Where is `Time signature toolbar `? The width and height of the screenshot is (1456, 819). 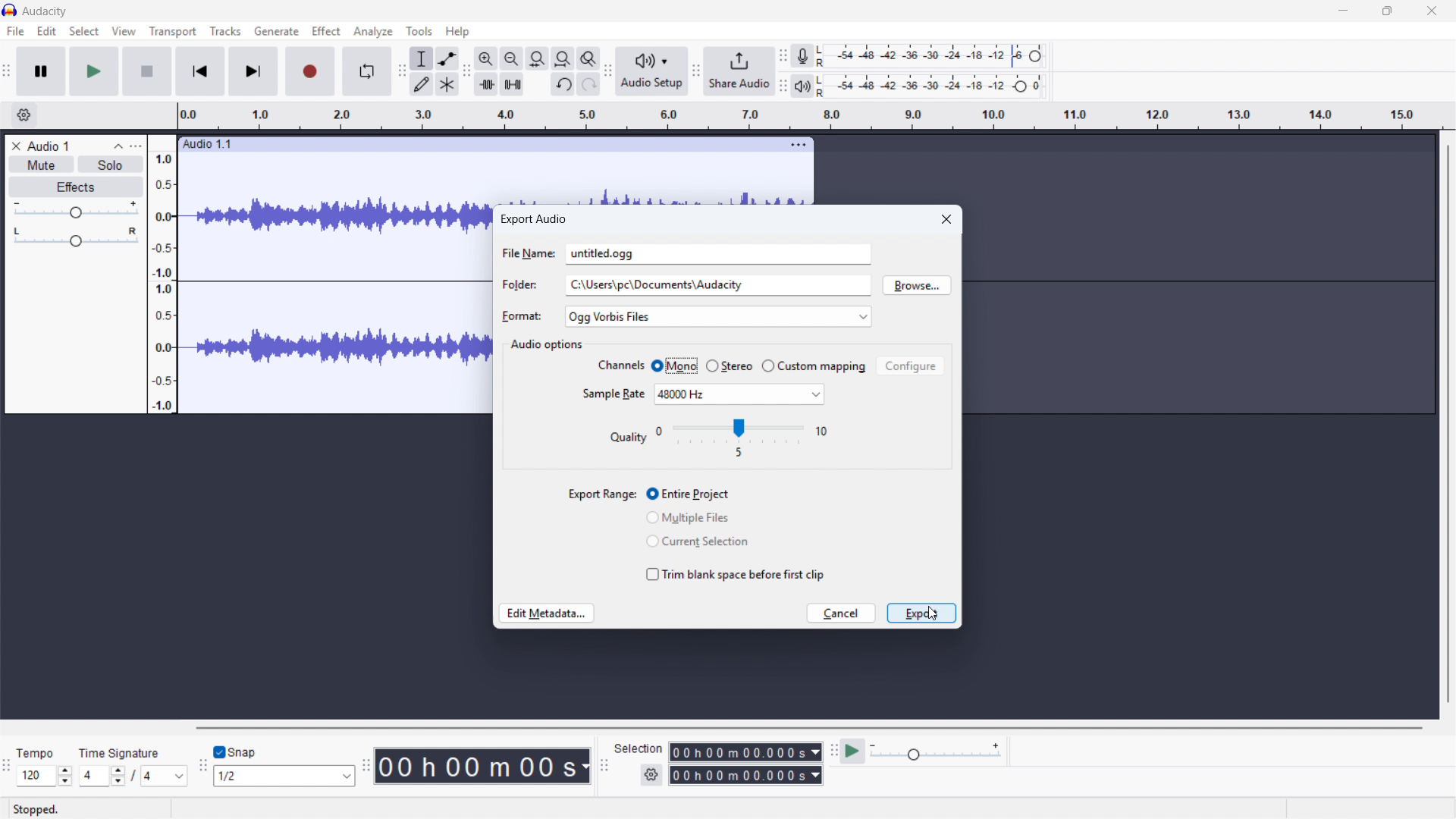
Time signature toolbar  is located at coordinates (7, 768).